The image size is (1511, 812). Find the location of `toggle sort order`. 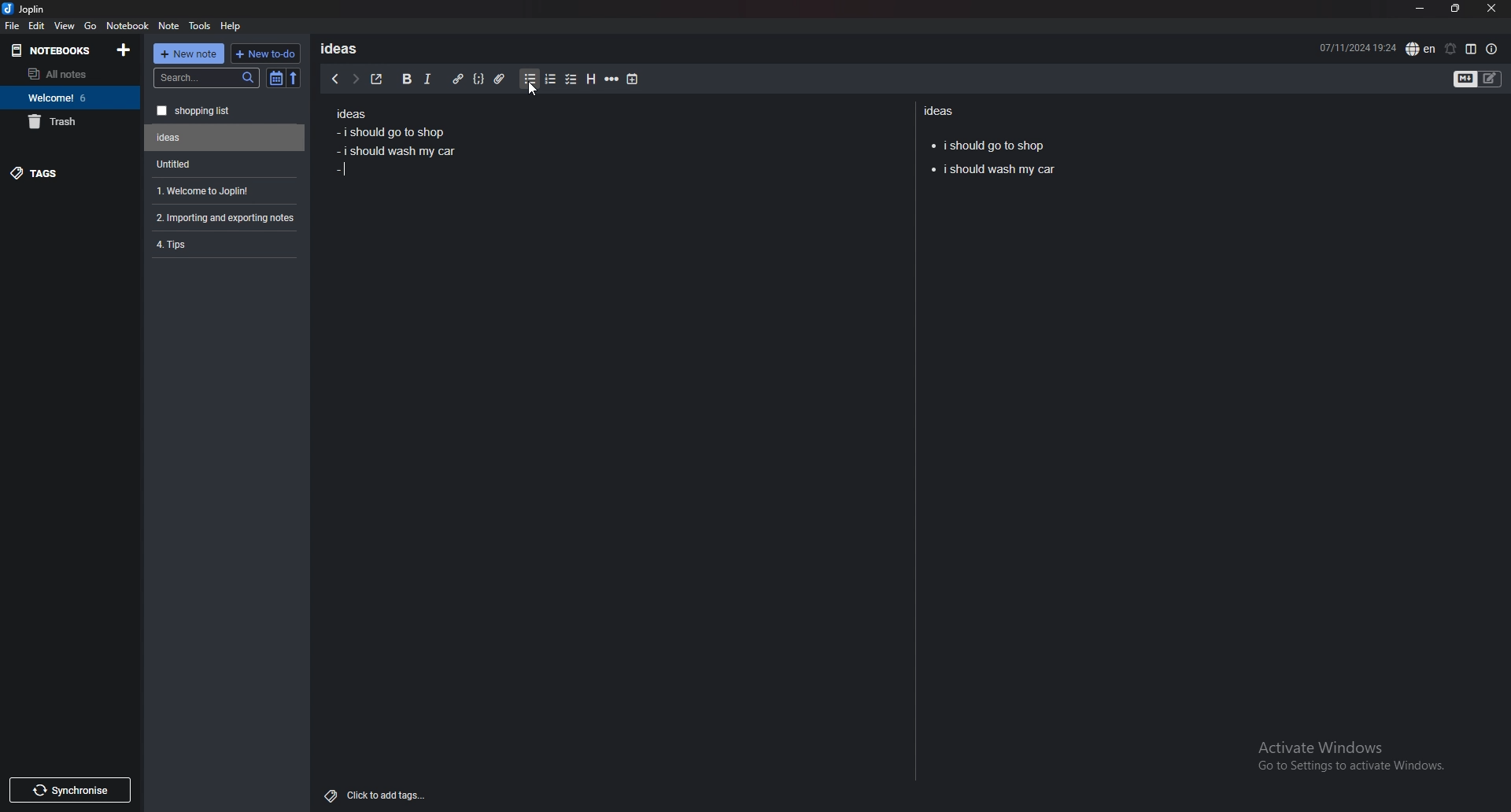

toggle sort order is located at coordinates (276, 79).